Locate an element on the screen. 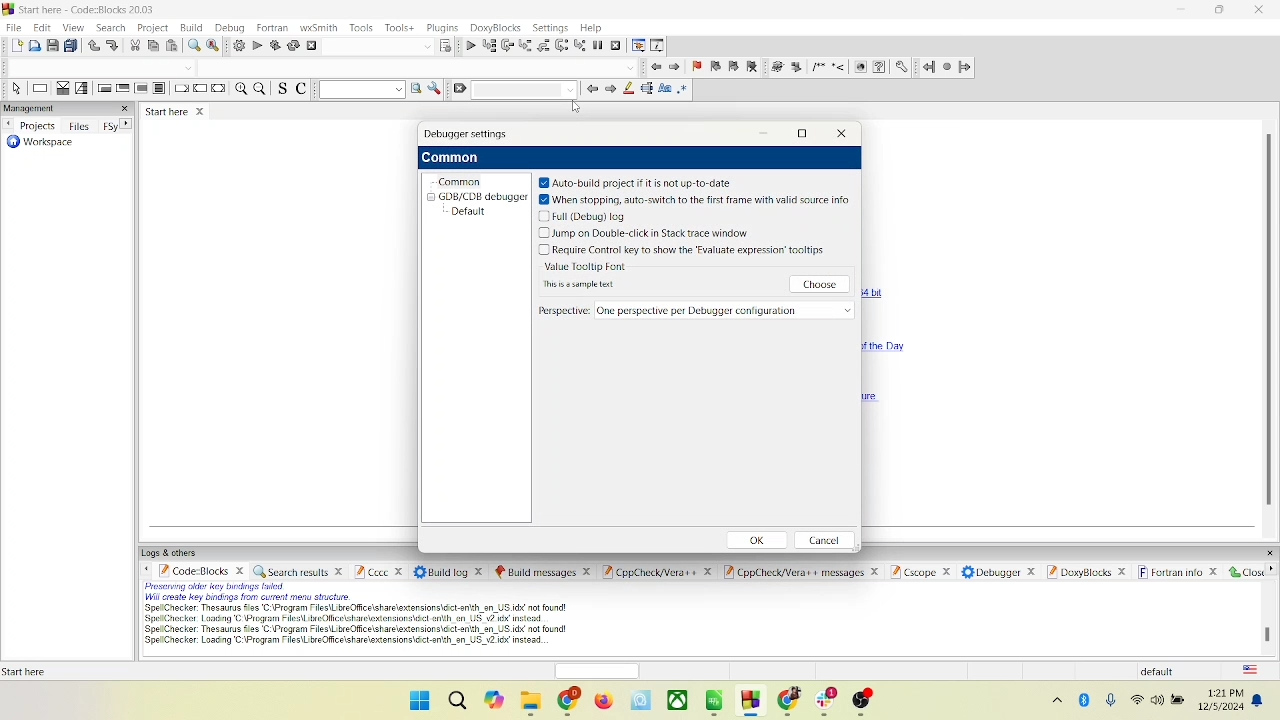 The width and height of the screenshot is (1280, 720). debug is located at coordinates (233, 30).